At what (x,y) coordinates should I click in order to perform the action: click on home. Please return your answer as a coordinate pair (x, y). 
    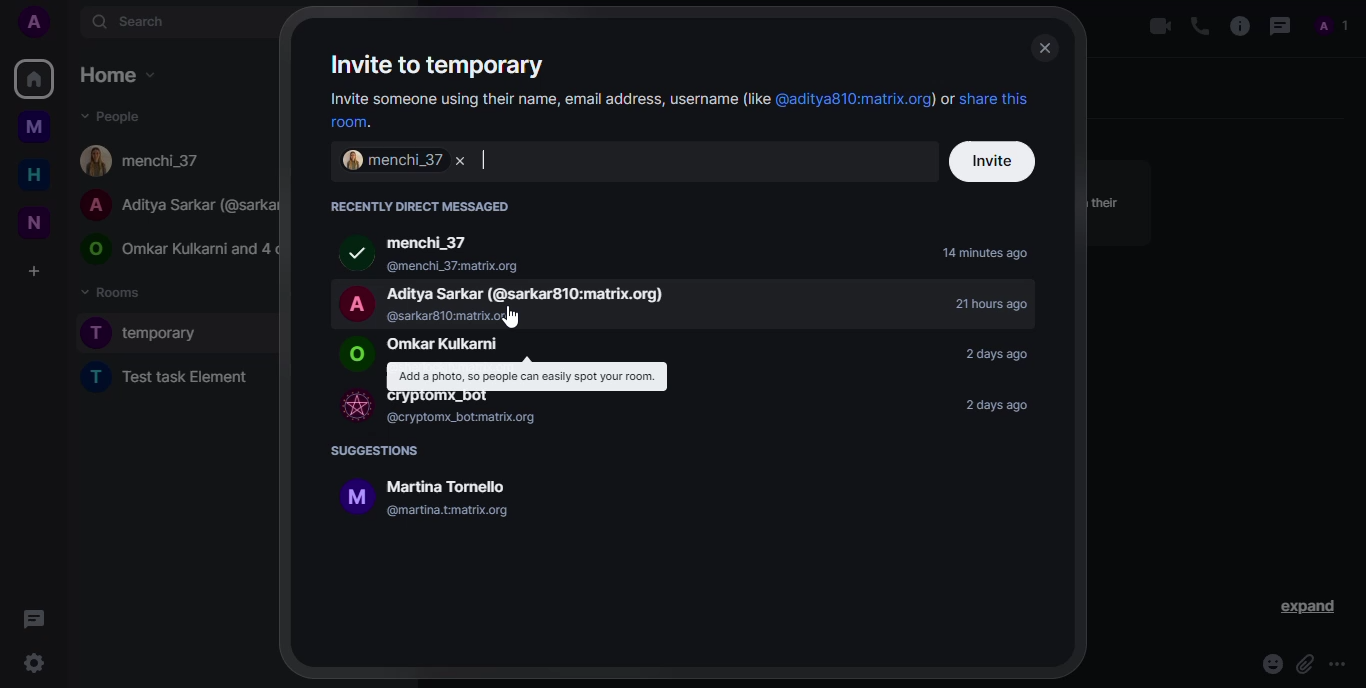
    Looking at the image, I should click on (117, 75).